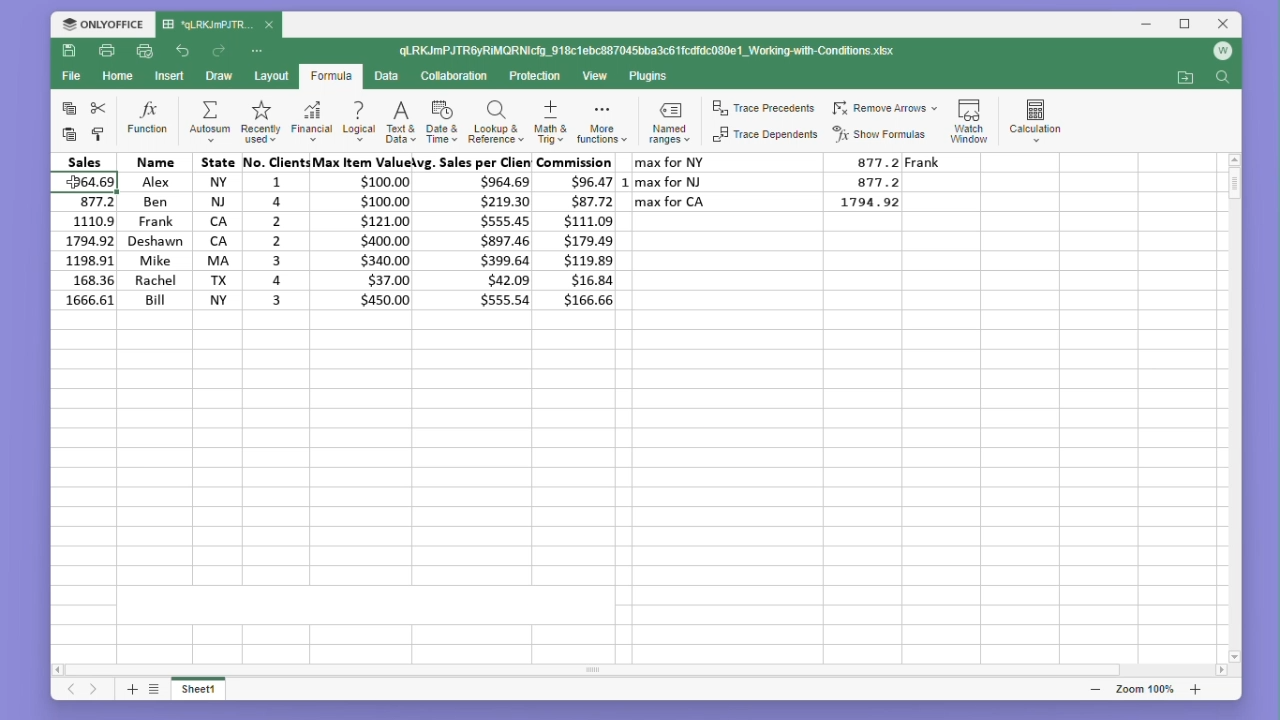 The width and height of the screenshot is (1280, 720). Describe the element at coordinates (159, 690) in the screenshot. I see `List of sheets` at that location.